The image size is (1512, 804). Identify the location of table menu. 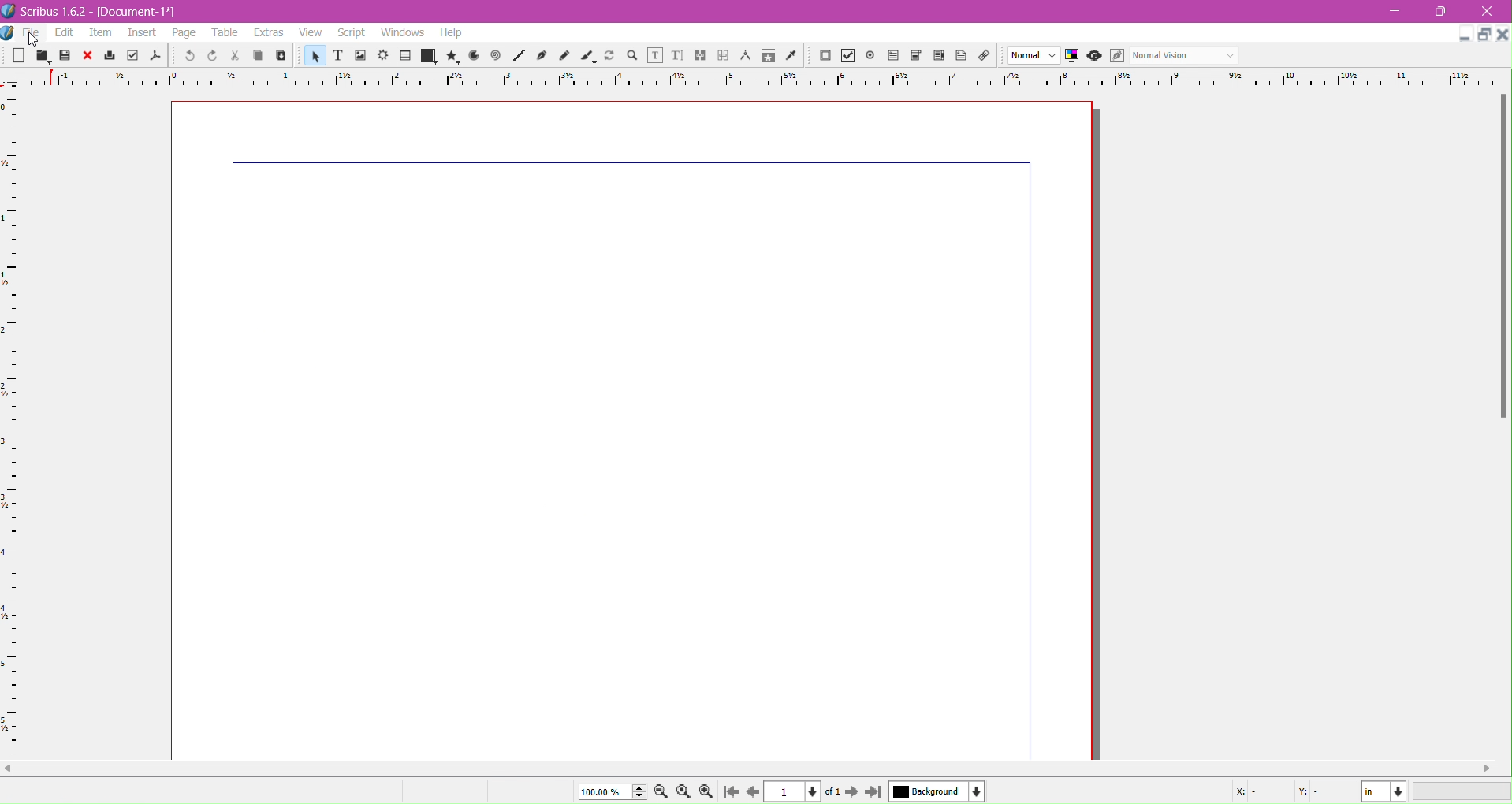
(225, 33).